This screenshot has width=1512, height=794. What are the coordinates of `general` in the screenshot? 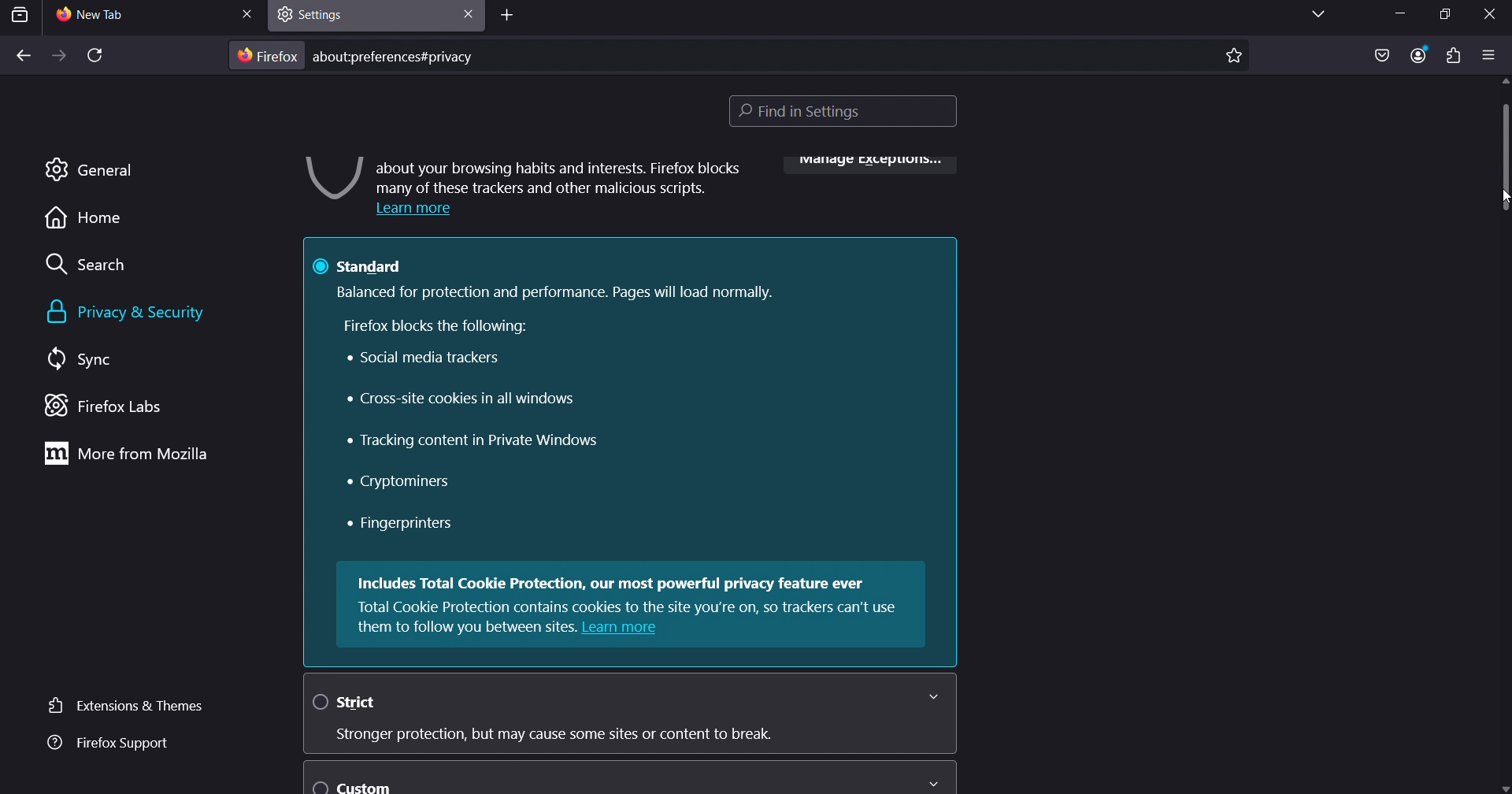 It's located at (89, 168).